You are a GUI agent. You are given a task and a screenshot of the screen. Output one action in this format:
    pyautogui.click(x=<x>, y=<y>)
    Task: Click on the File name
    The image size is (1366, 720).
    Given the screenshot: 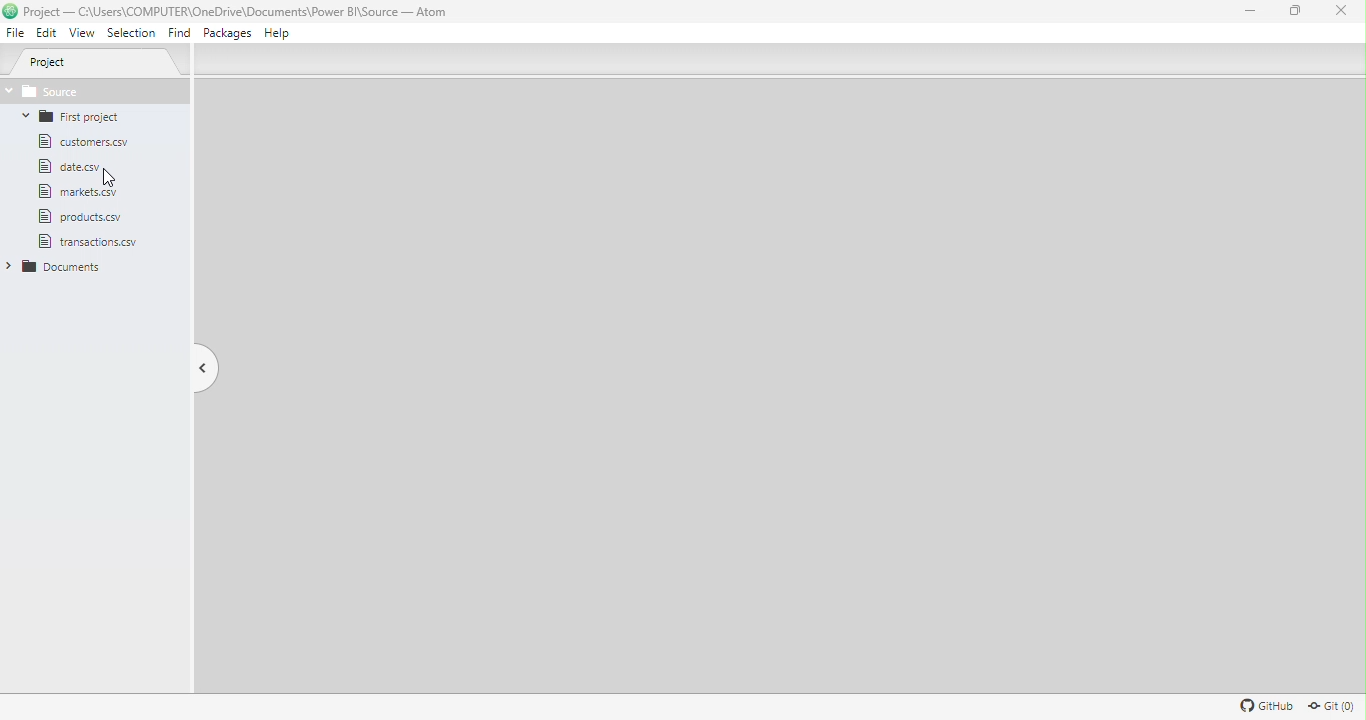 What is the action you would take?
    pyautogui.click(x=238, y=10)
    